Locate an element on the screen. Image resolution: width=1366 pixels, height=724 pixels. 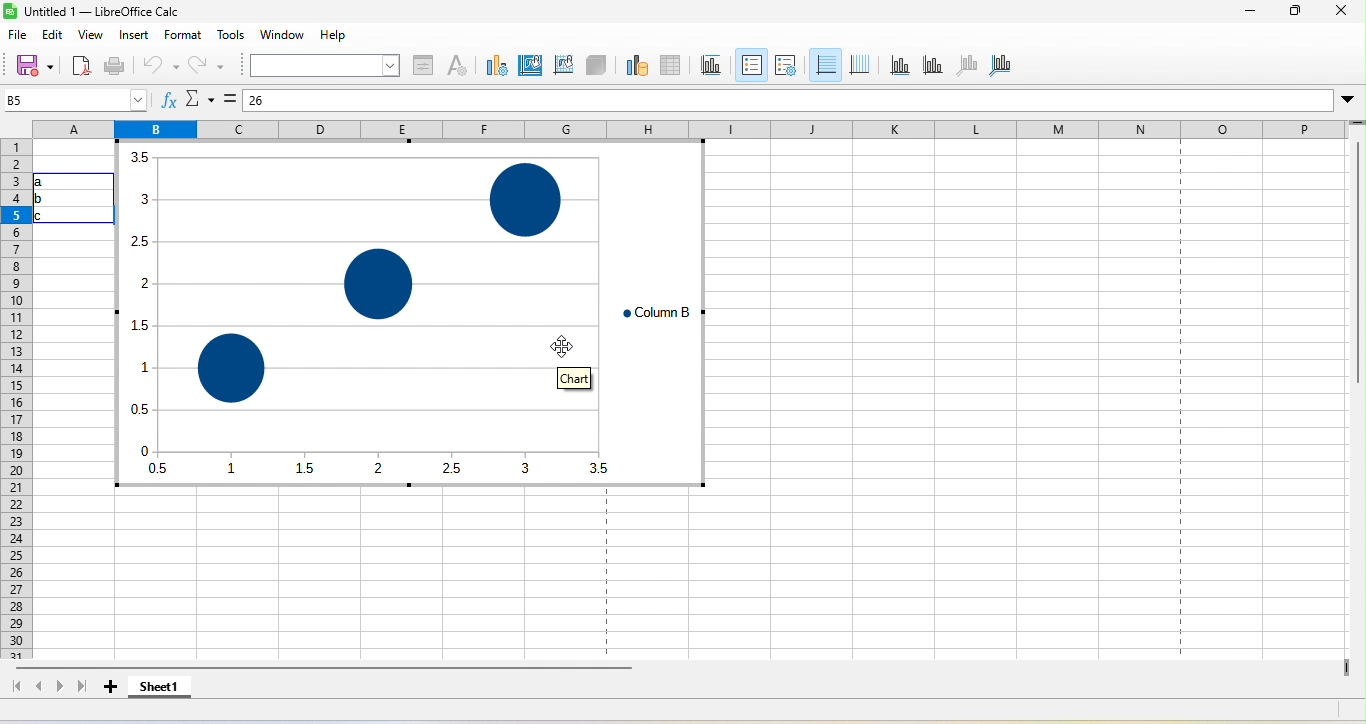
close is located at coordinates (1340, 12).